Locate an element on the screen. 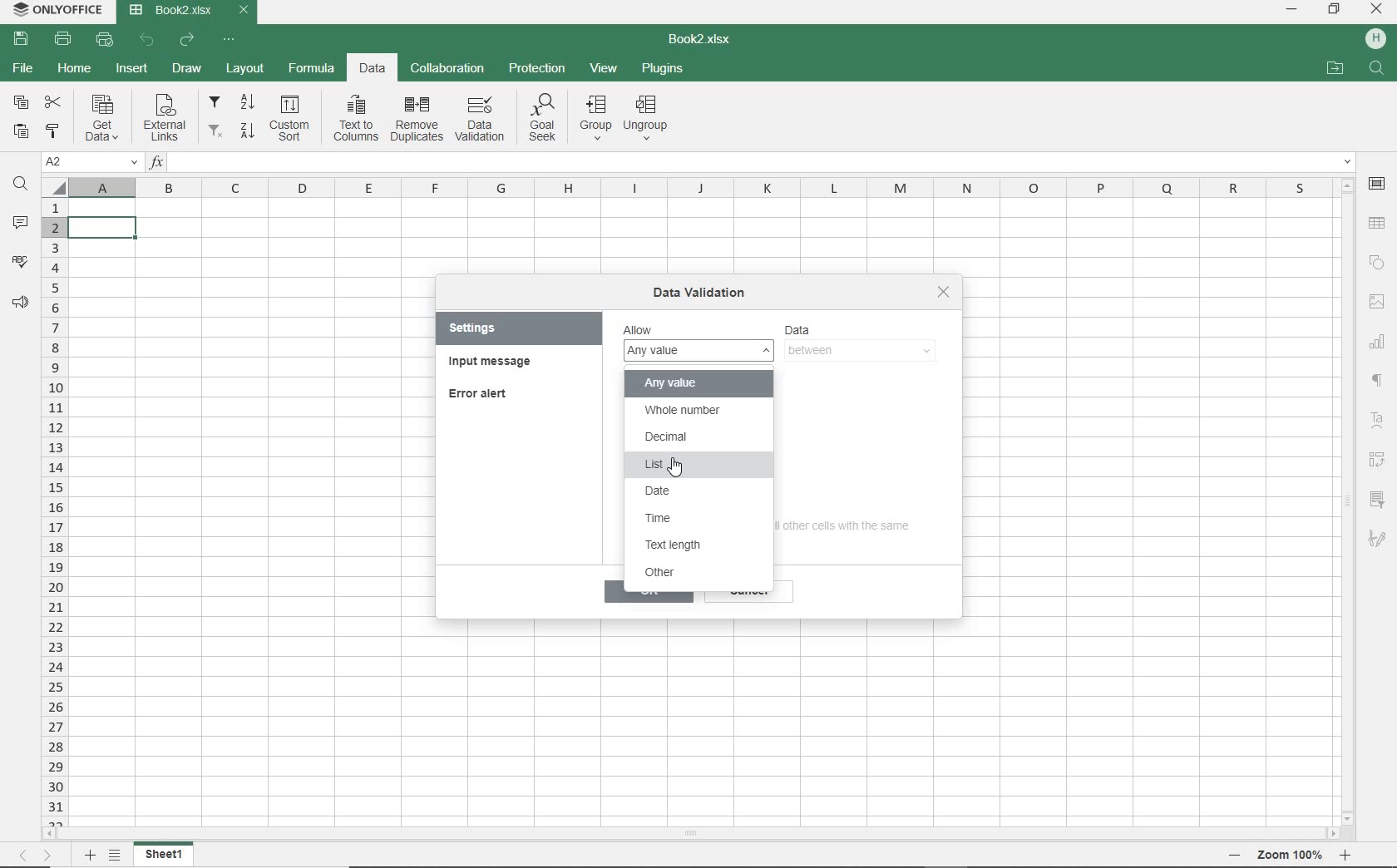 The image size is (1397, 868). SELECTED cell is located at coordinates (104, 227).